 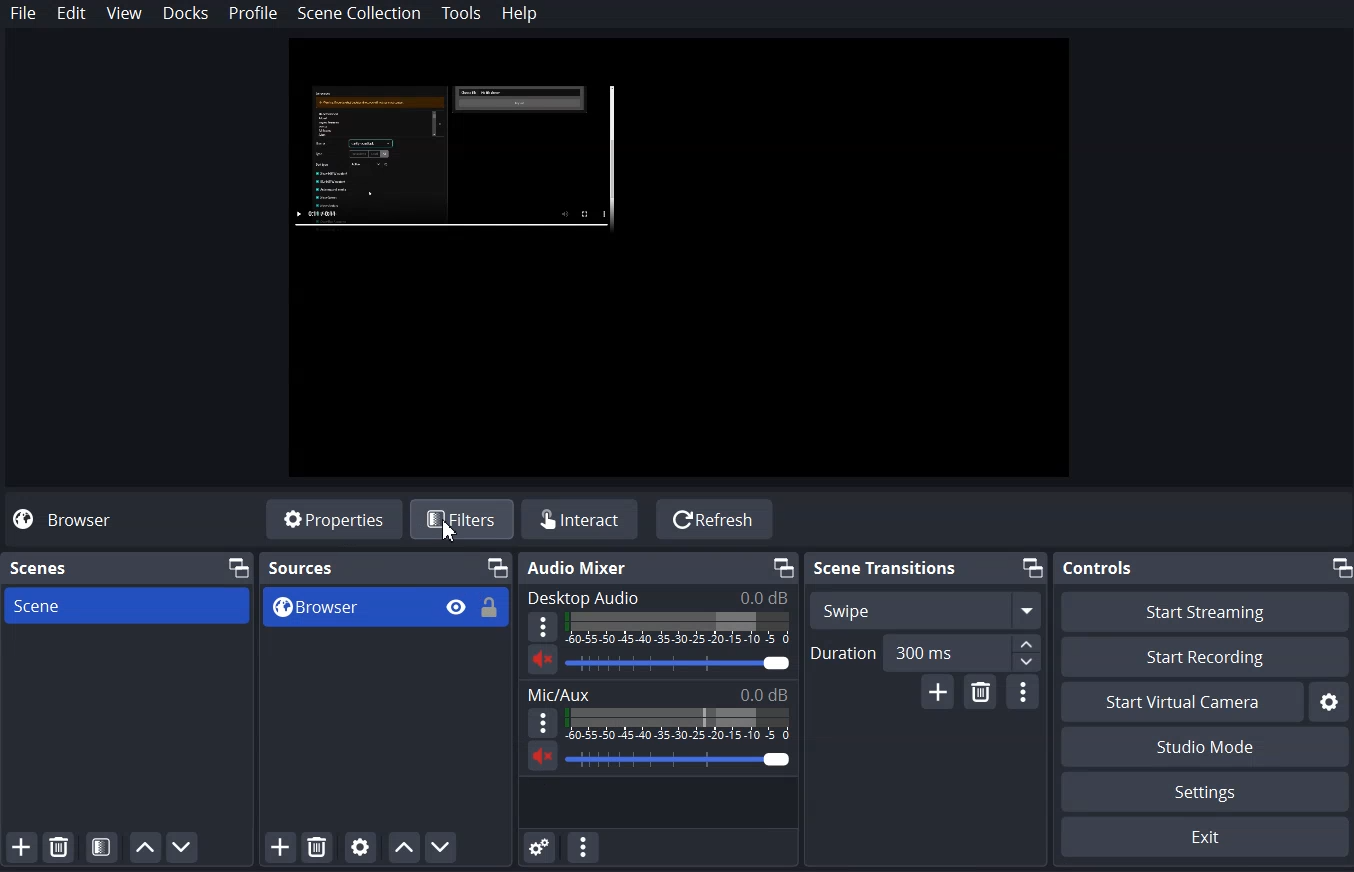 What do you see at coordinates (404, 847) in the screenshot?
I see `Move Source up` at bounding box center [404, 847].